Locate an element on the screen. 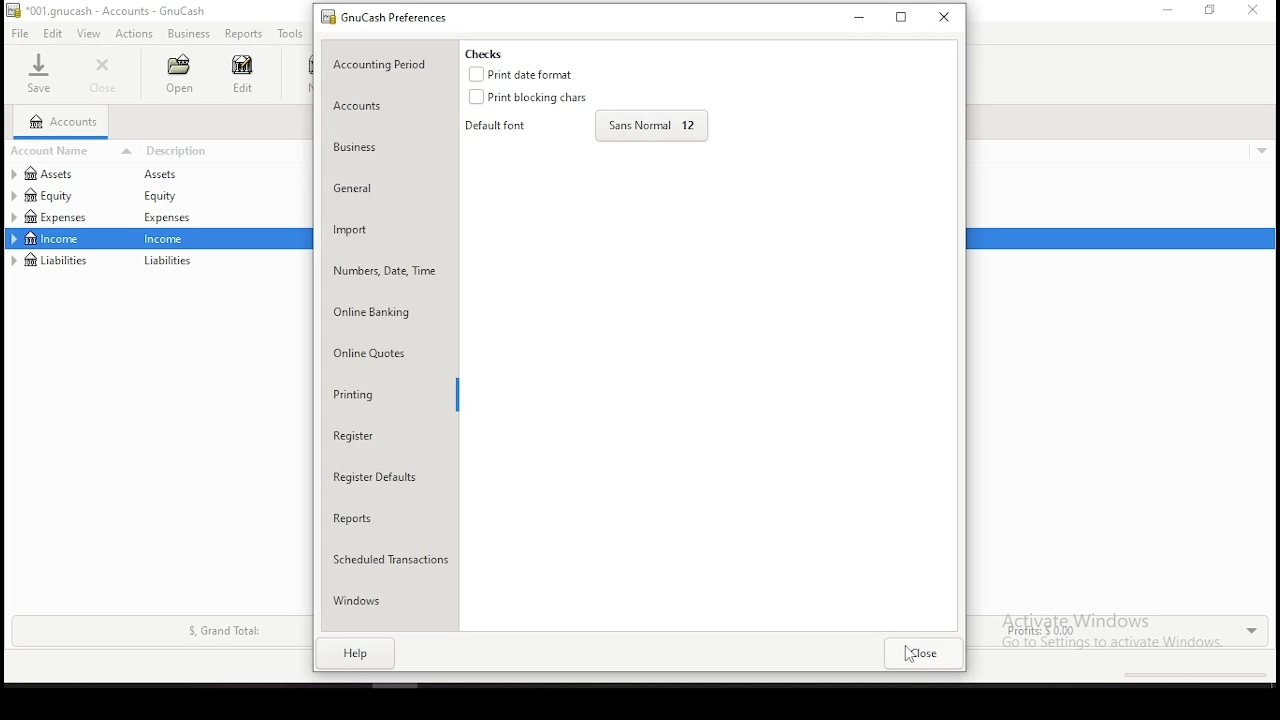  equity is located at coordinates (165, 196).